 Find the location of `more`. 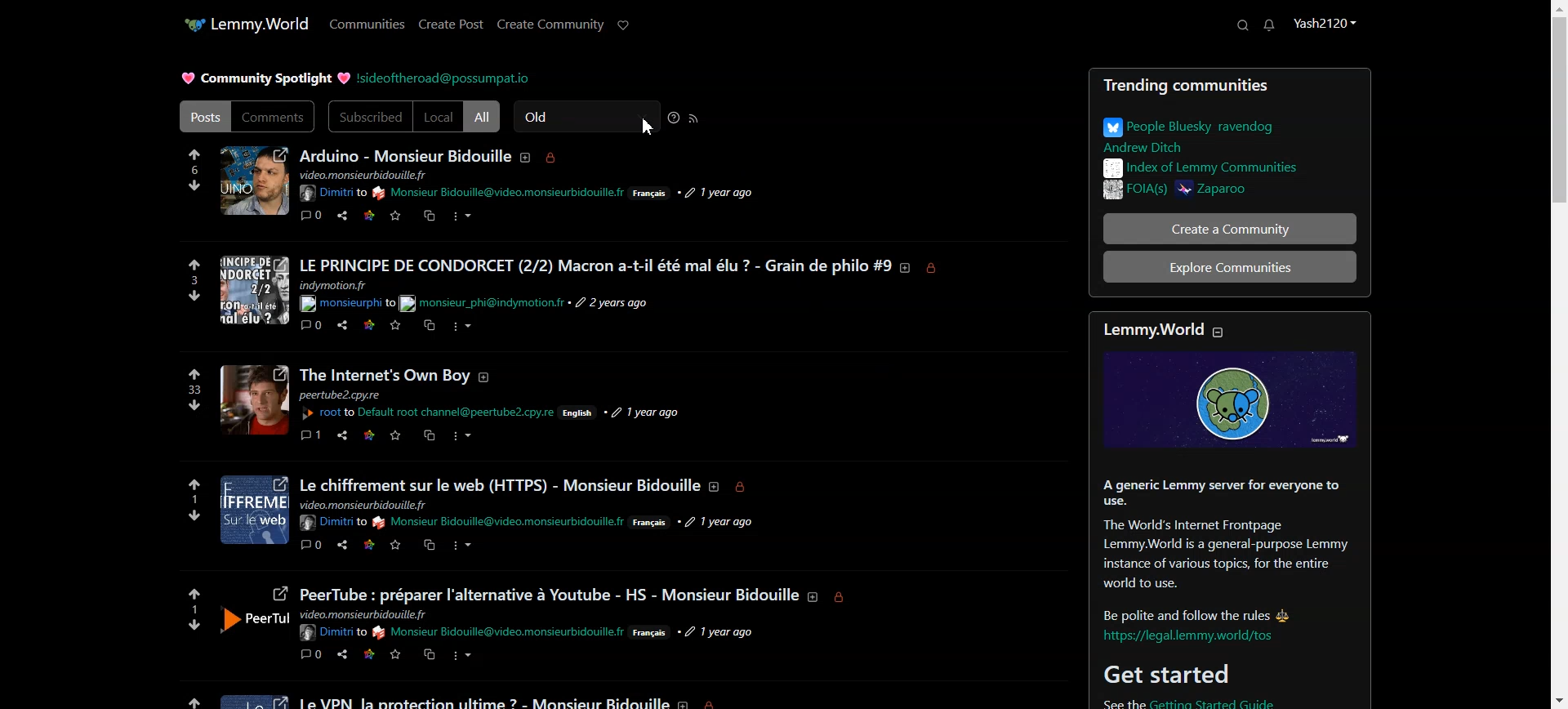

more is located at coordinates (461, 436).